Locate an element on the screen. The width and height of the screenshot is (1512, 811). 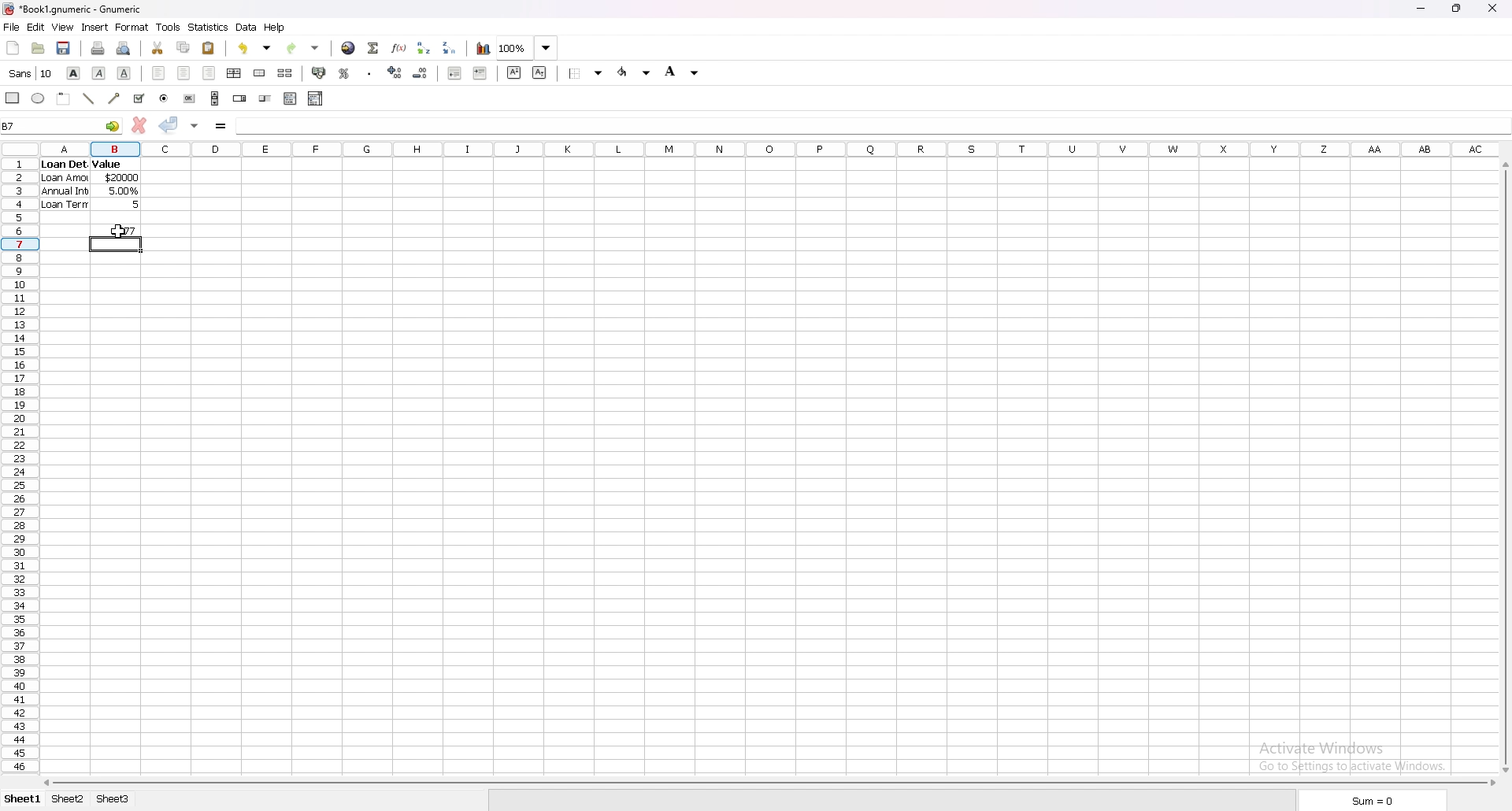
combo box is located at coordinates (317, 98).